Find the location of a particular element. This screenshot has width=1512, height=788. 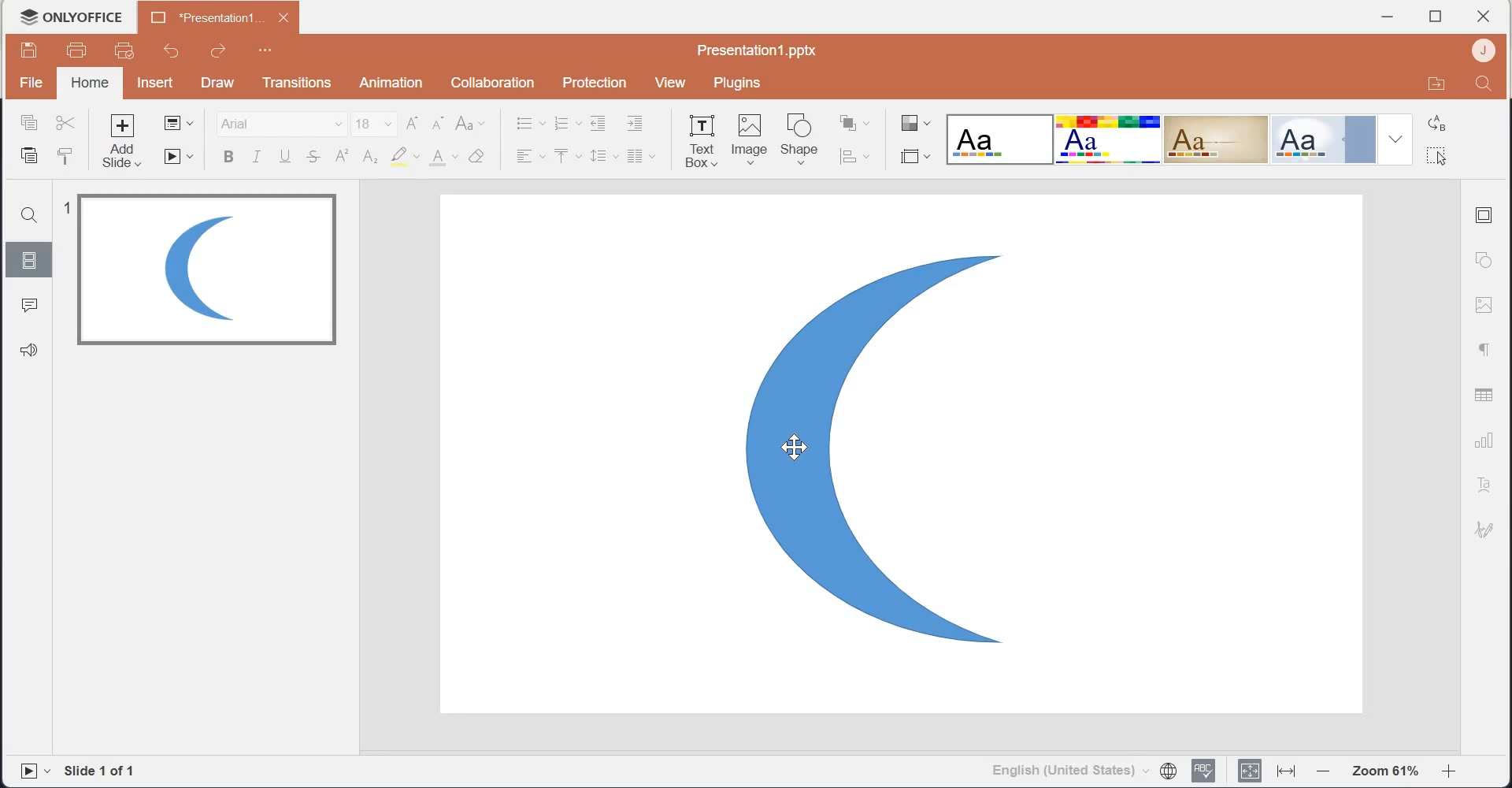

Transitions is located at coordinates (295, 83).